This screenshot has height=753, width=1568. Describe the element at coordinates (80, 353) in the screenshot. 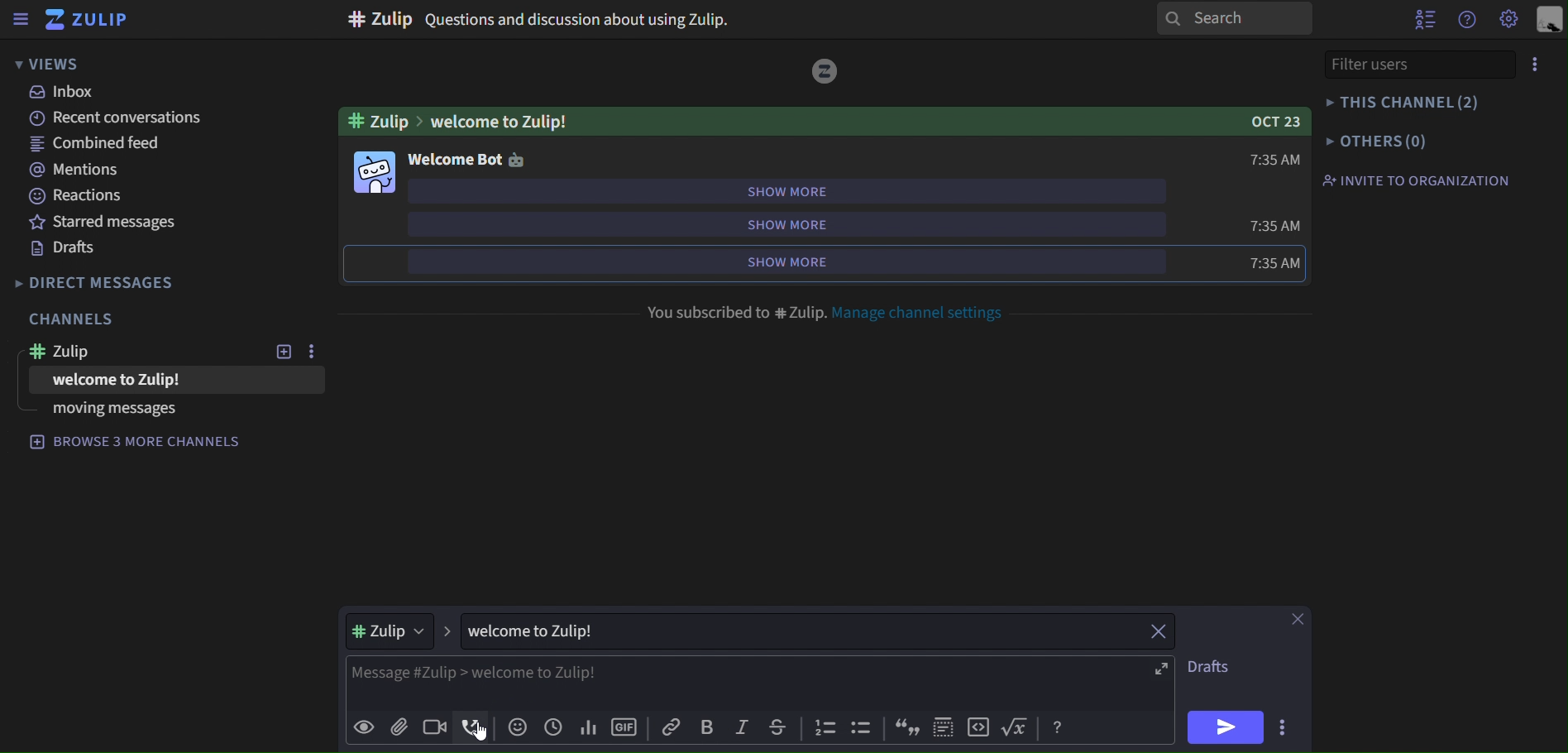

I see `zulip` at that location.